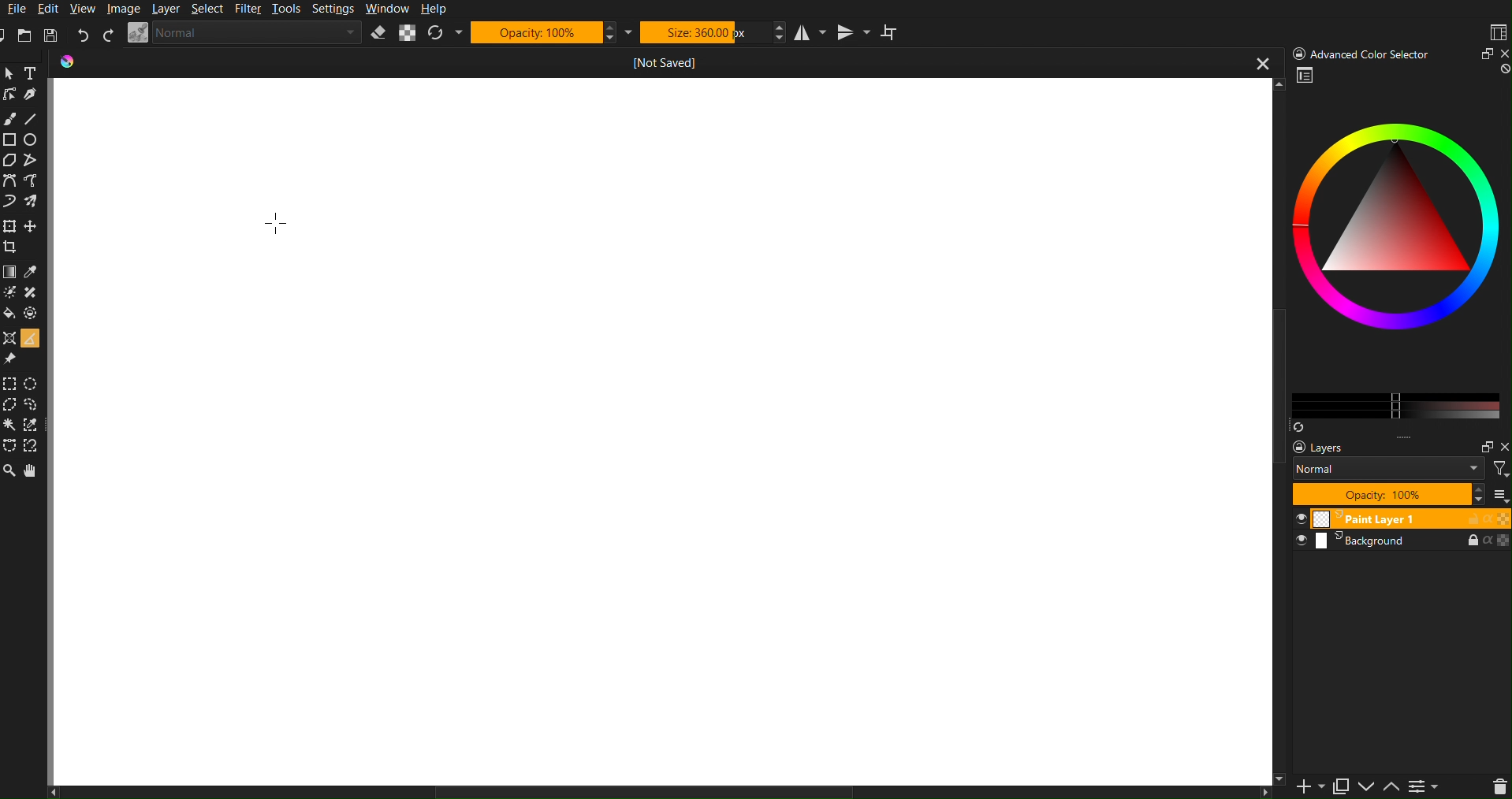 The image size is (1512, 799). Describe the element at coordinates (667, 61) in the screenshot. I see `Current Document` at that location.